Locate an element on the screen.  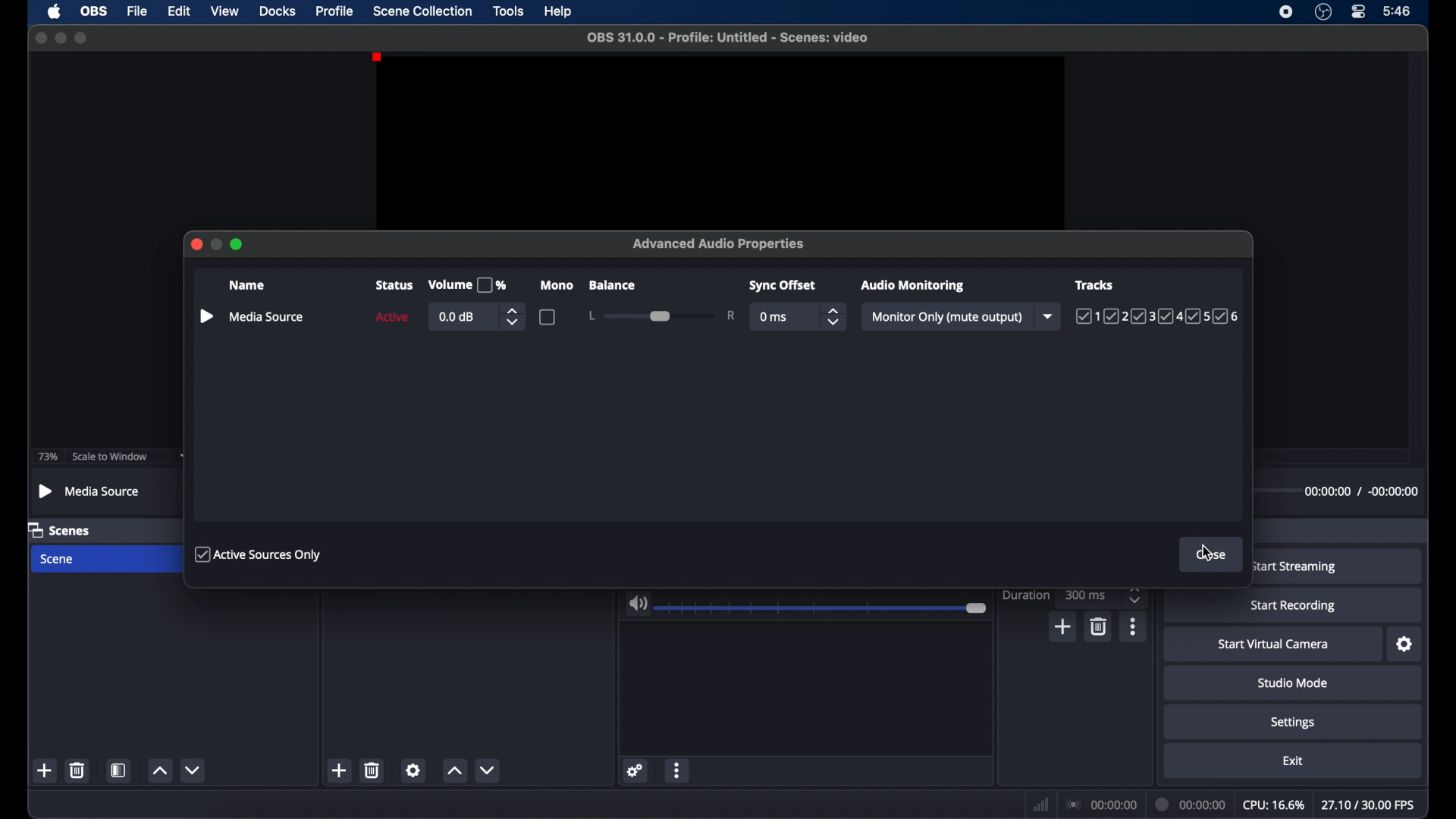
volume is located at coordinates (467, 285).